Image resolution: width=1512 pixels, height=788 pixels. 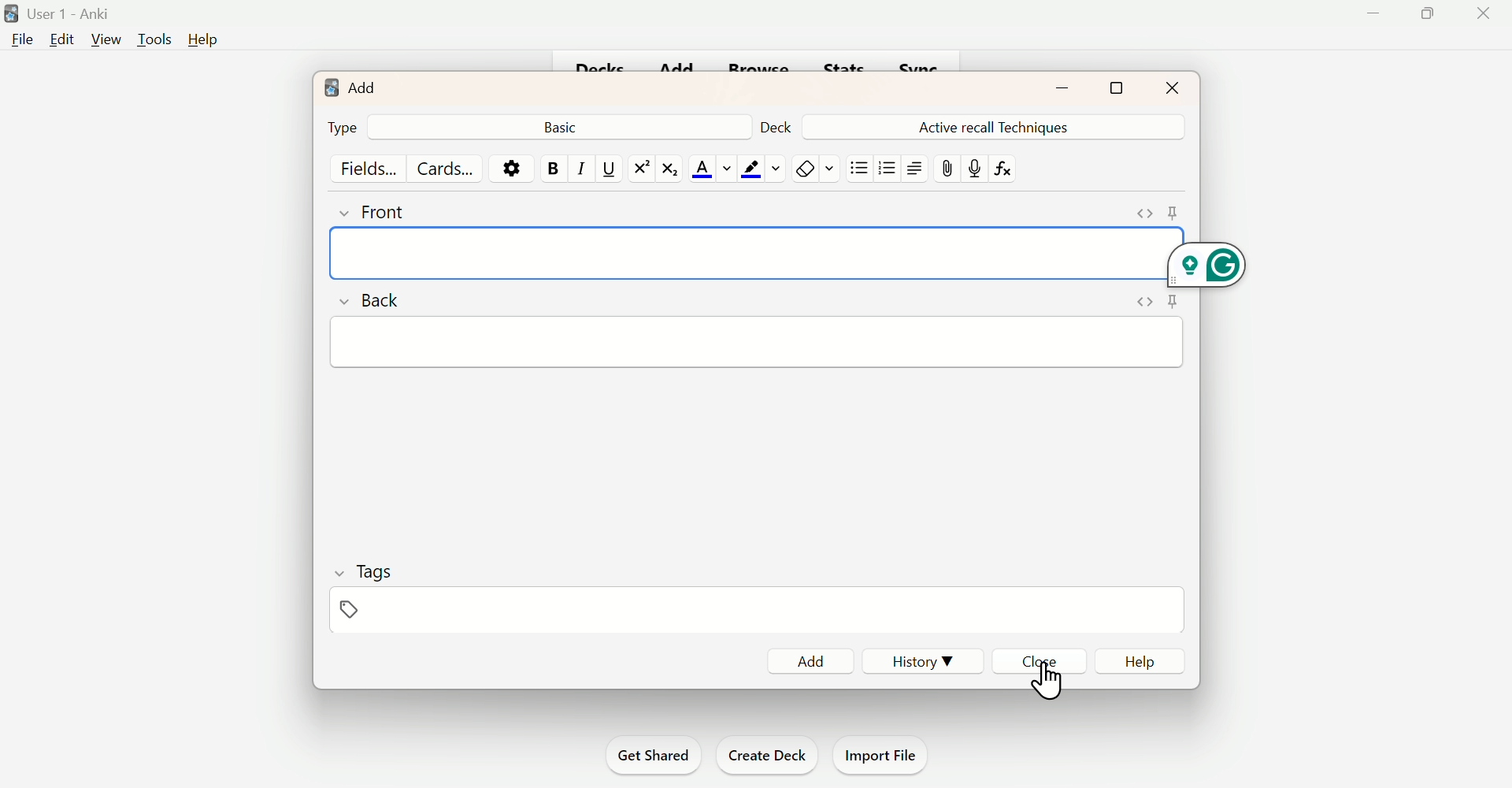 What do you see at coordinates (768, 754) in the screenshot?
I see `Create Deck` at bounding box center [768, 754].